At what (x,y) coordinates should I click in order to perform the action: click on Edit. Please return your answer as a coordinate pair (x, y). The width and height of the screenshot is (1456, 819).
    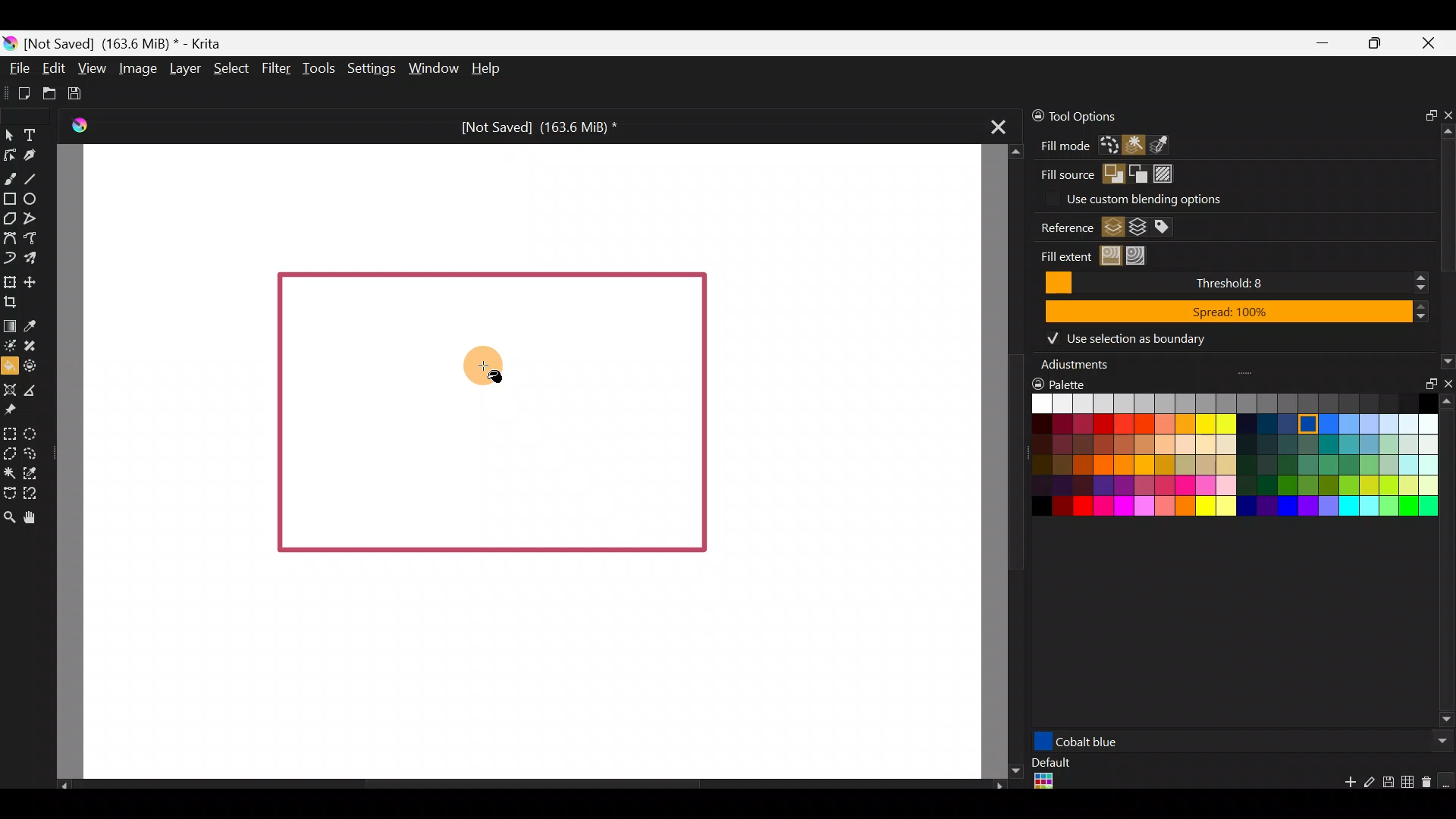
    Looking at the image, I should click on (53, 69).